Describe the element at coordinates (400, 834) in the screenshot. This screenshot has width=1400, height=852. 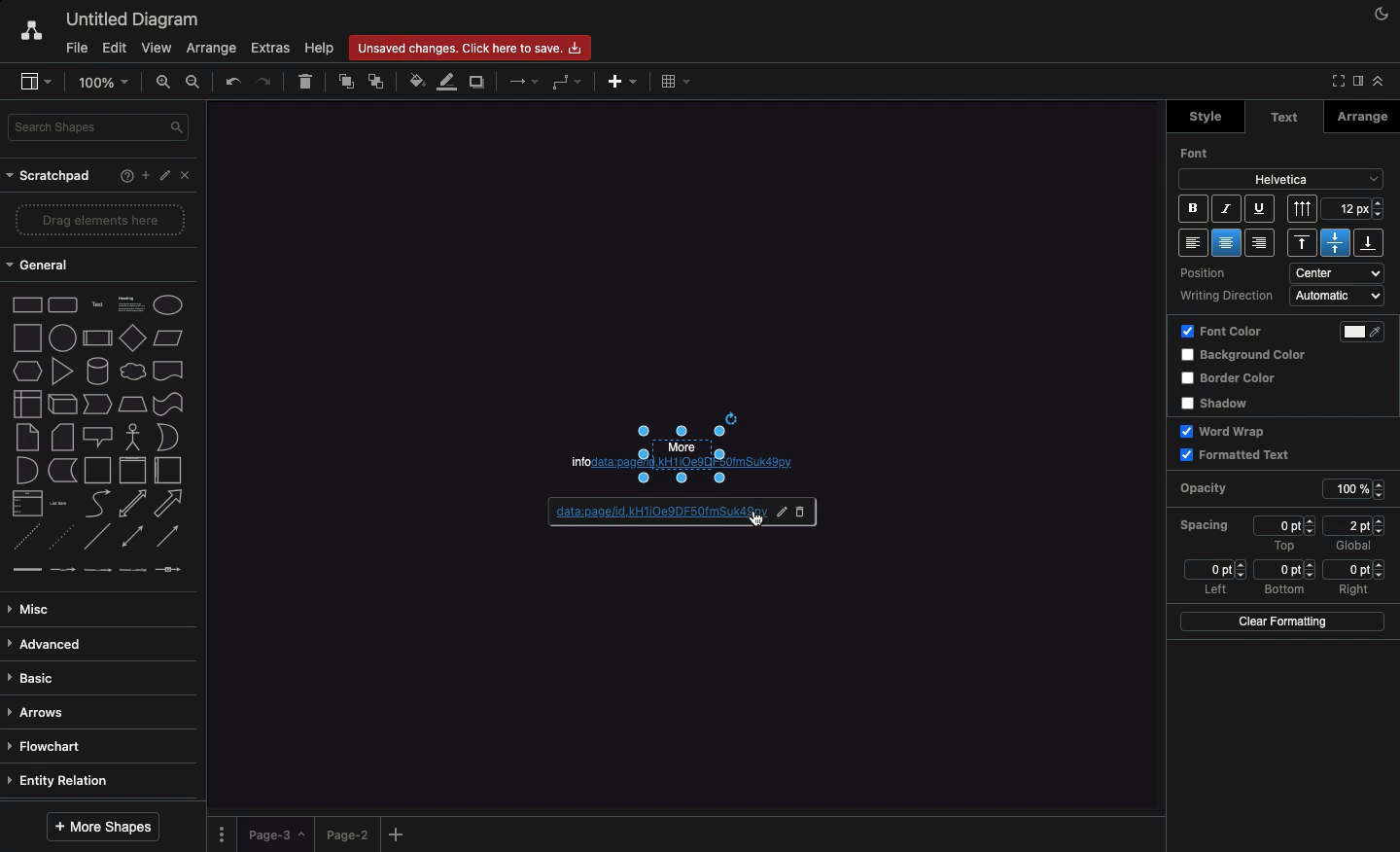
I see `Add` at that location.